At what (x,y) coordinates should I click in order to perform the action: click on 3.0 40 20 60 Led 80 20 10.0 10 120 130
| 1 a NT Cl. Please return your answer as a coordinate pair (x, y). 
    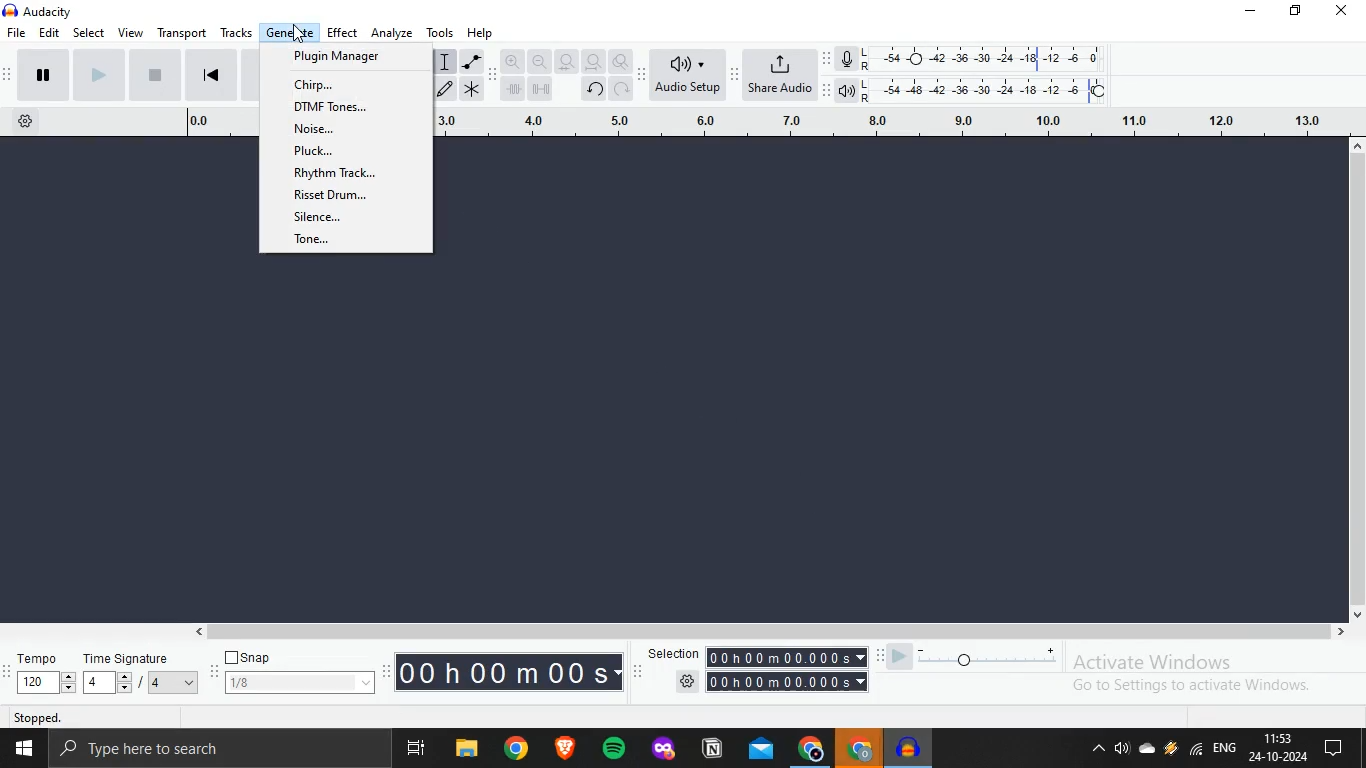
    Looking at the image, I should click on (898, 122).